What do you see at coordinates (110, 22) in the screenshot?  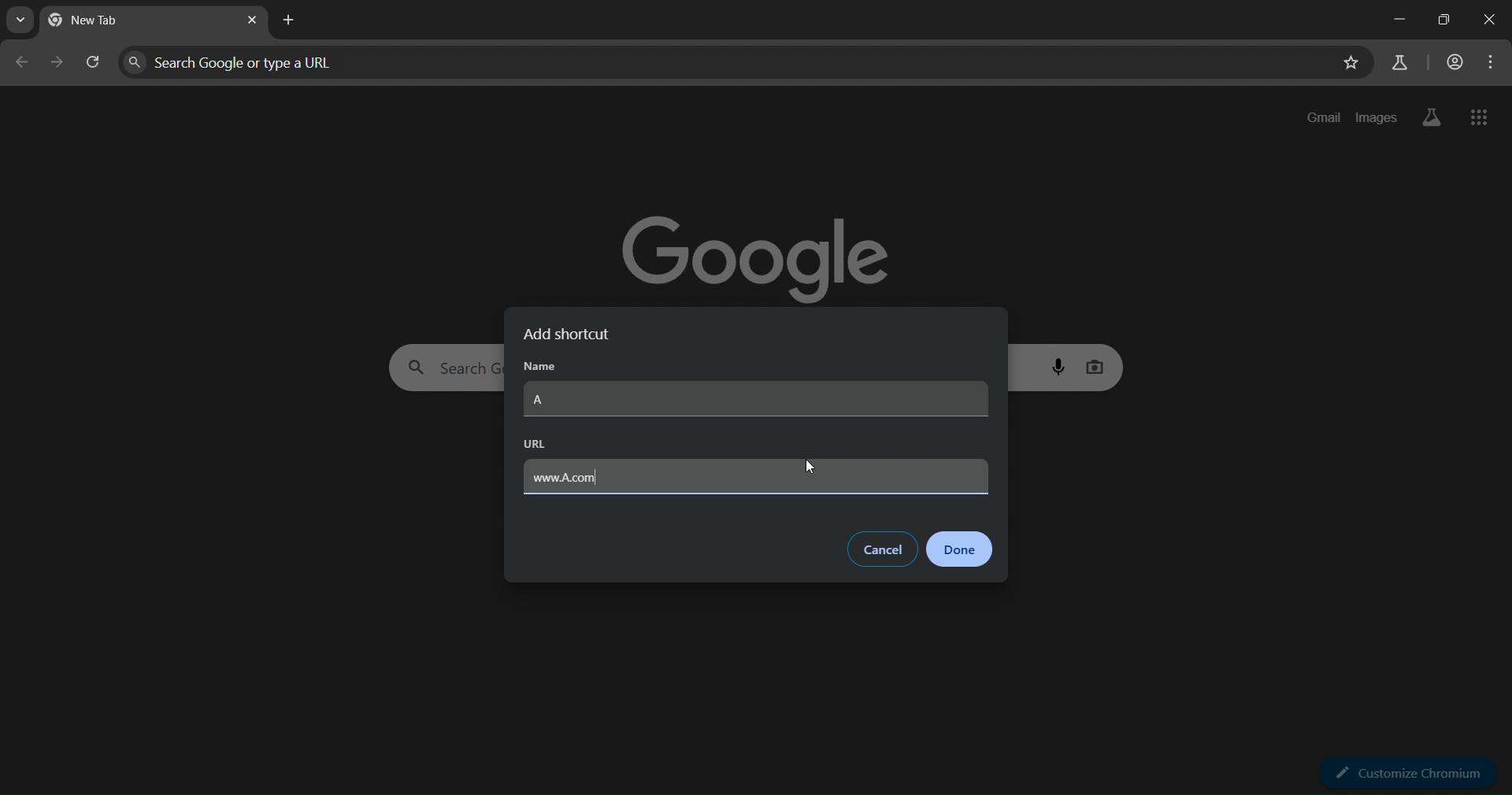 I see `current page` at bounding box center [110, 22].